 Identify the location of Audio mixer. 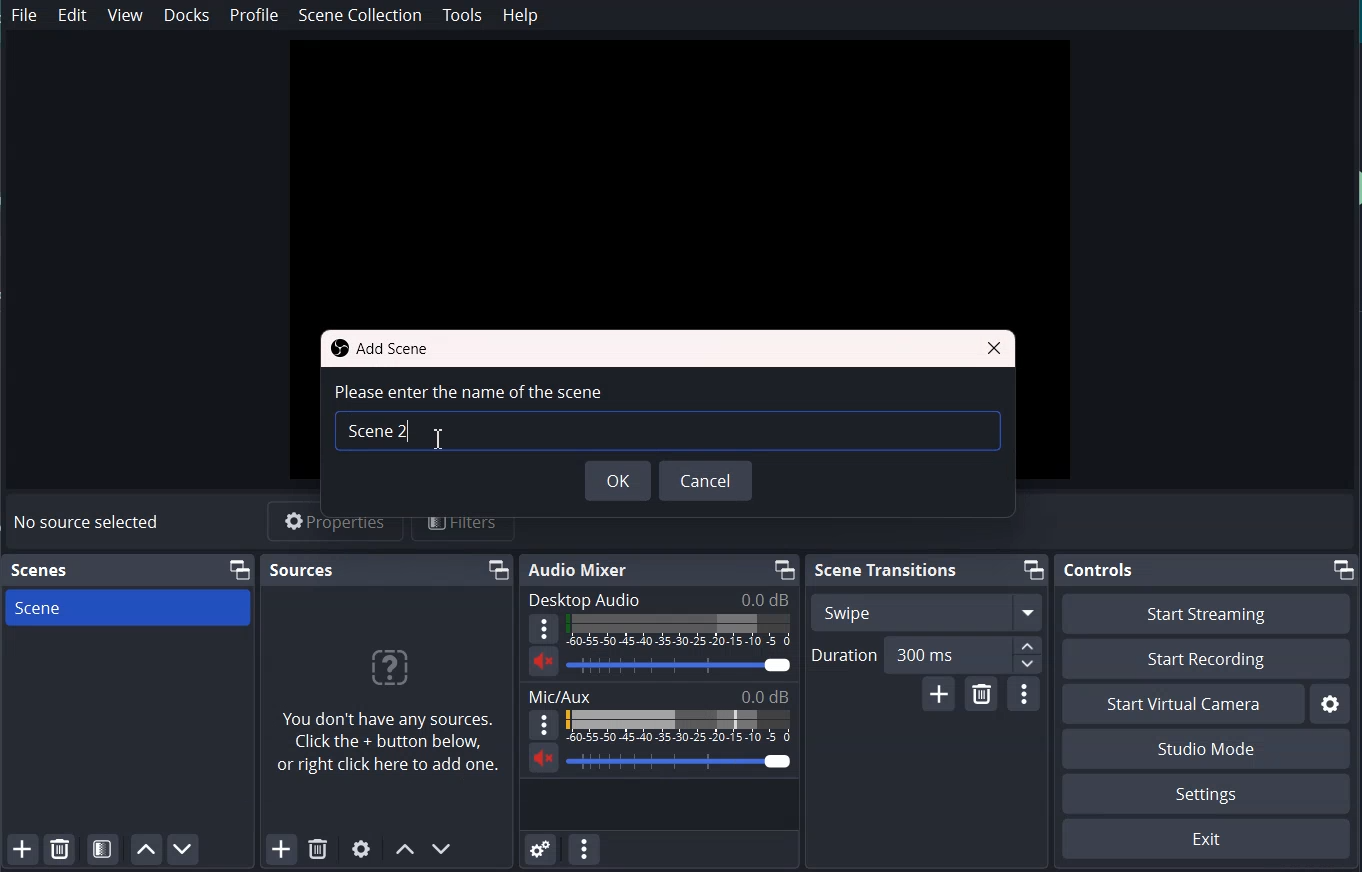
(580, 570).